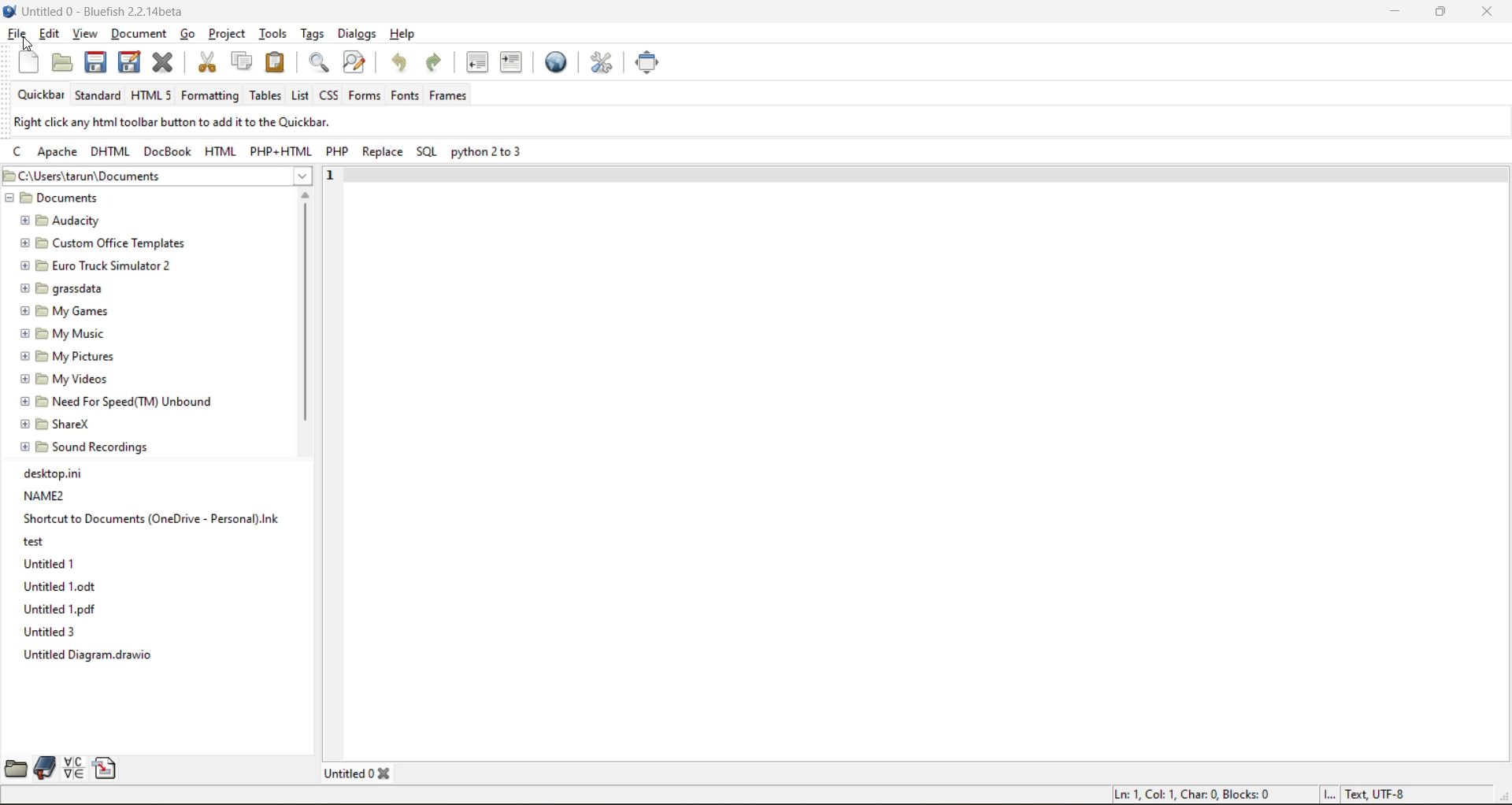 The height and width of the screenshot is (805, 1512). Describe the element at coordinates (137, 32) in the screenshot. I see `document` at that location.